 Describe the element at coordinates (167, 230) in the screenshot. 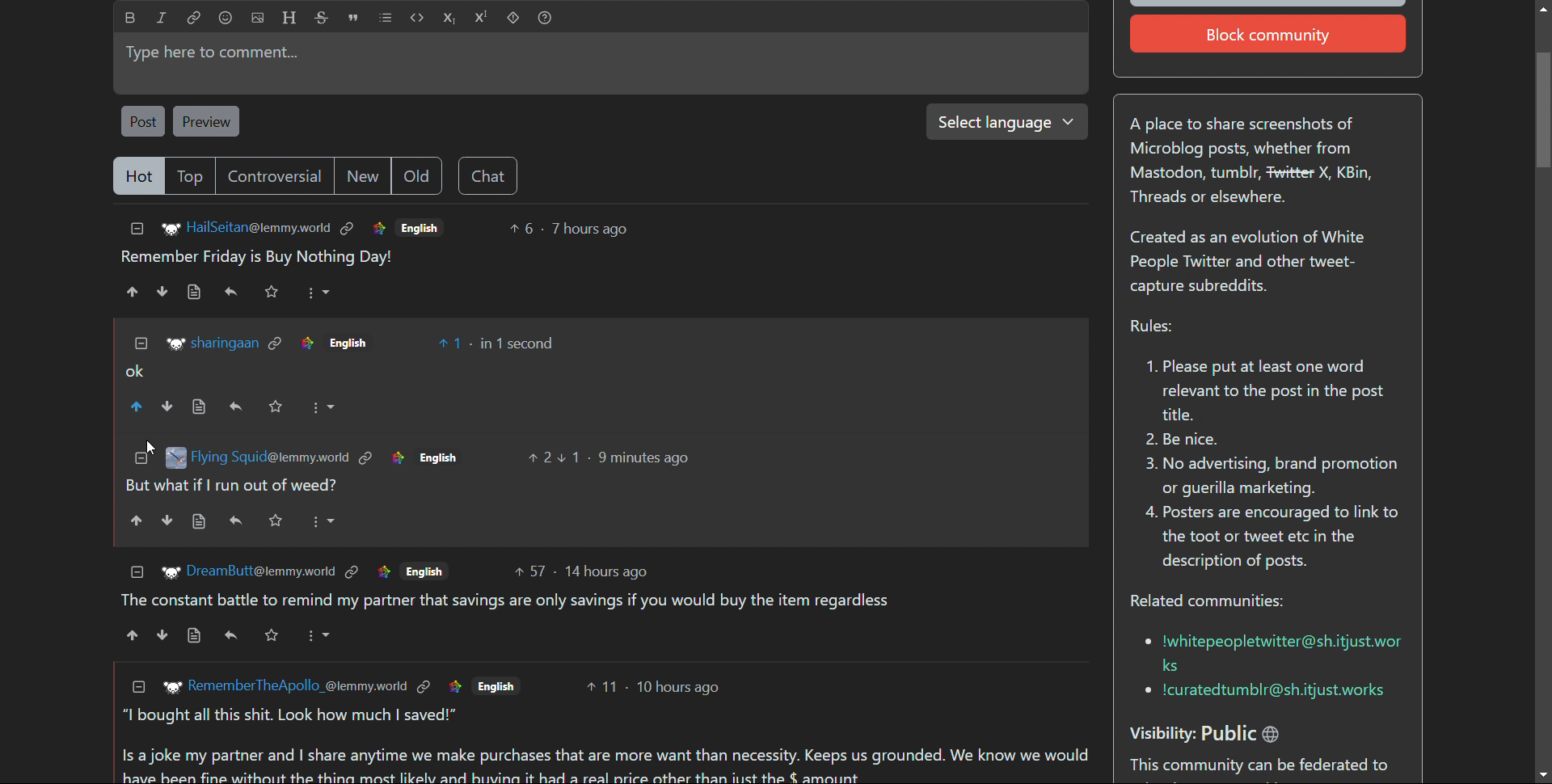

I see `image` at that location.